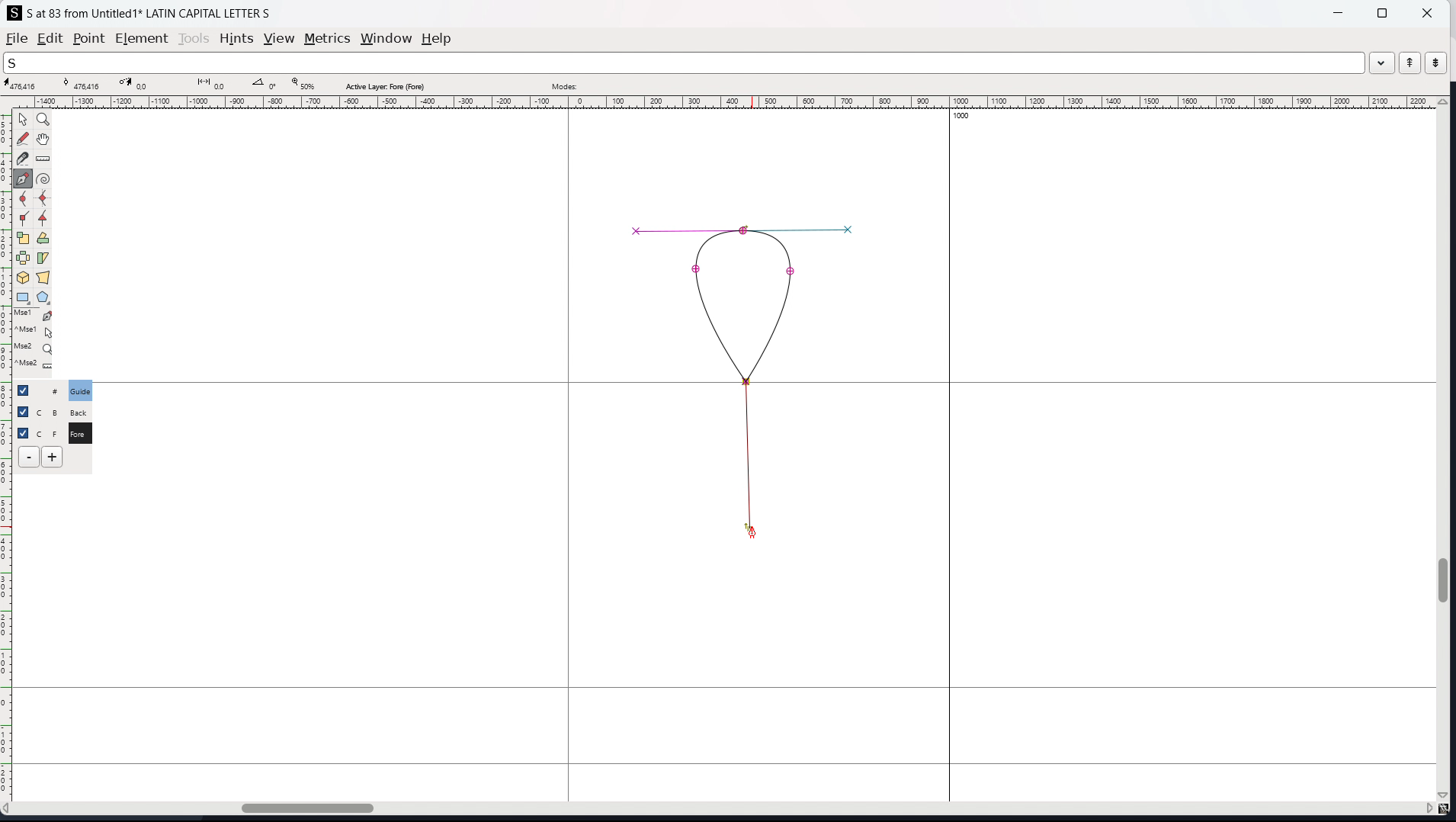 The width and height of the screenshot is (1456, 822). I want to click on metrics, so click(327, 38).